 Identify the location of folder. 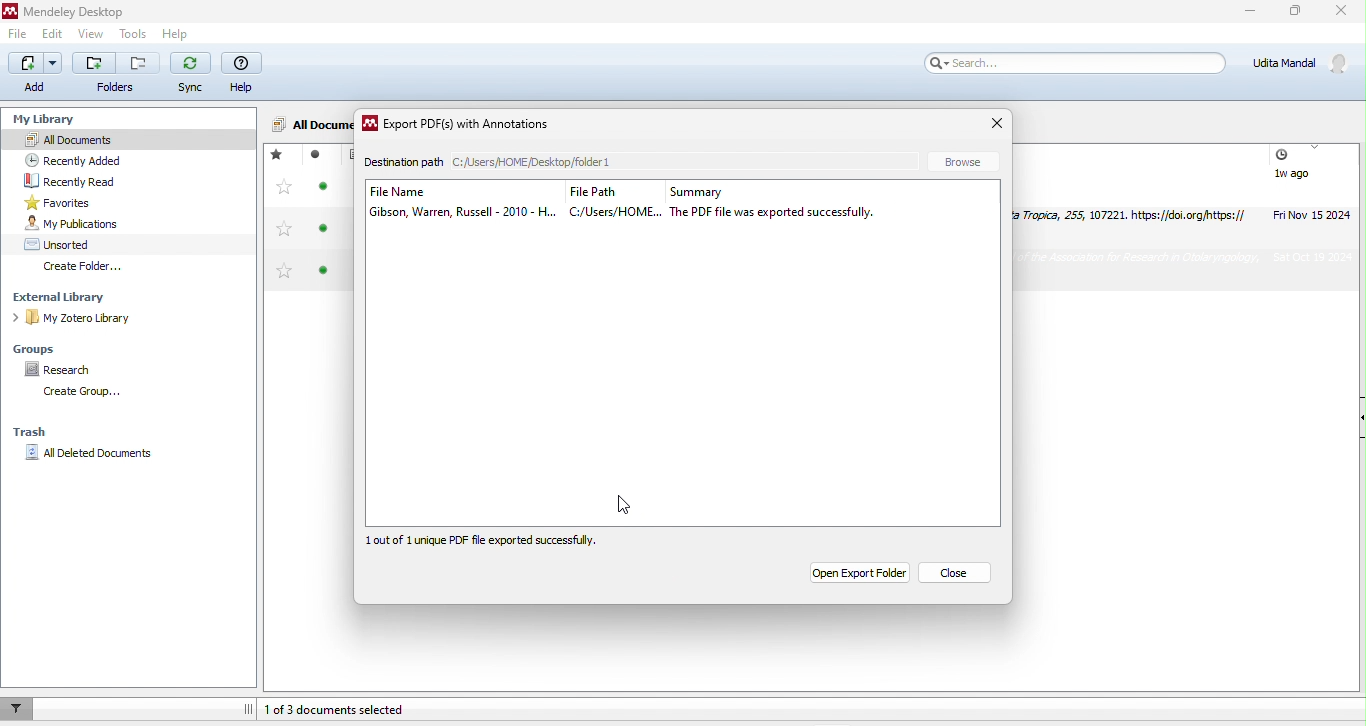
(117, 73).